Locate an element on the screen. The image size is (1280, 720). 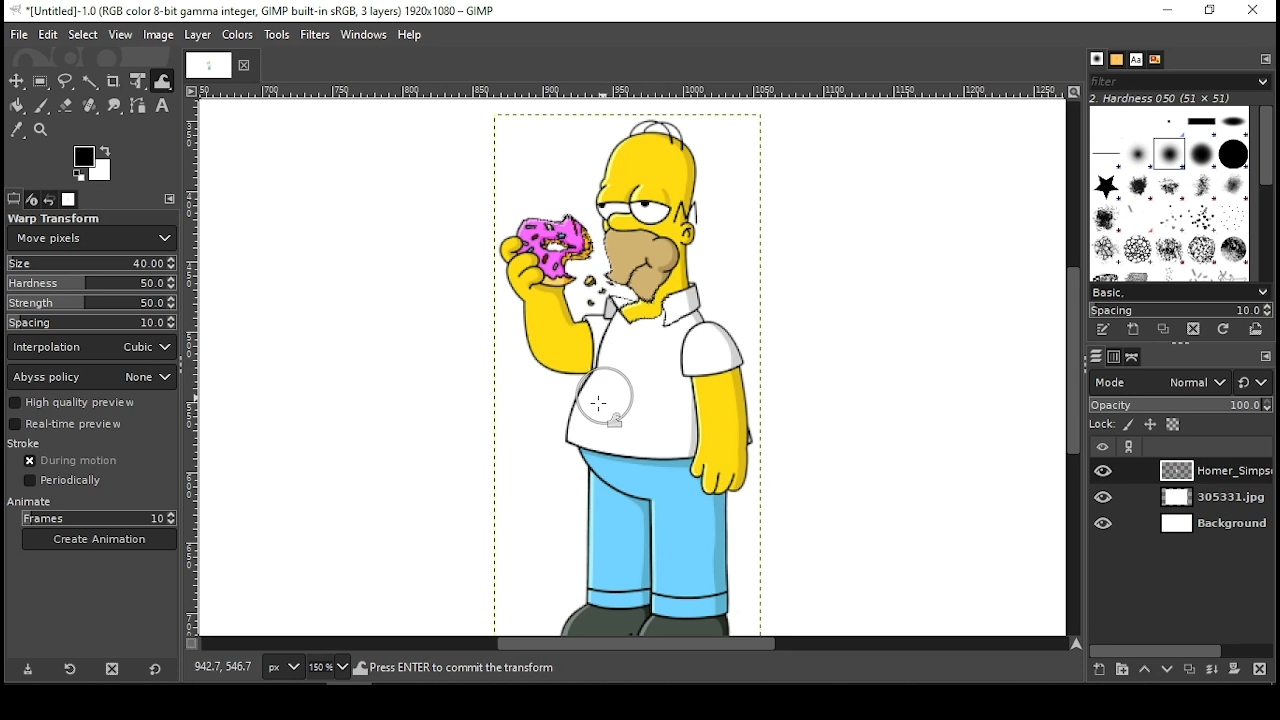
reset to default values is located at coordinates (156, 669).